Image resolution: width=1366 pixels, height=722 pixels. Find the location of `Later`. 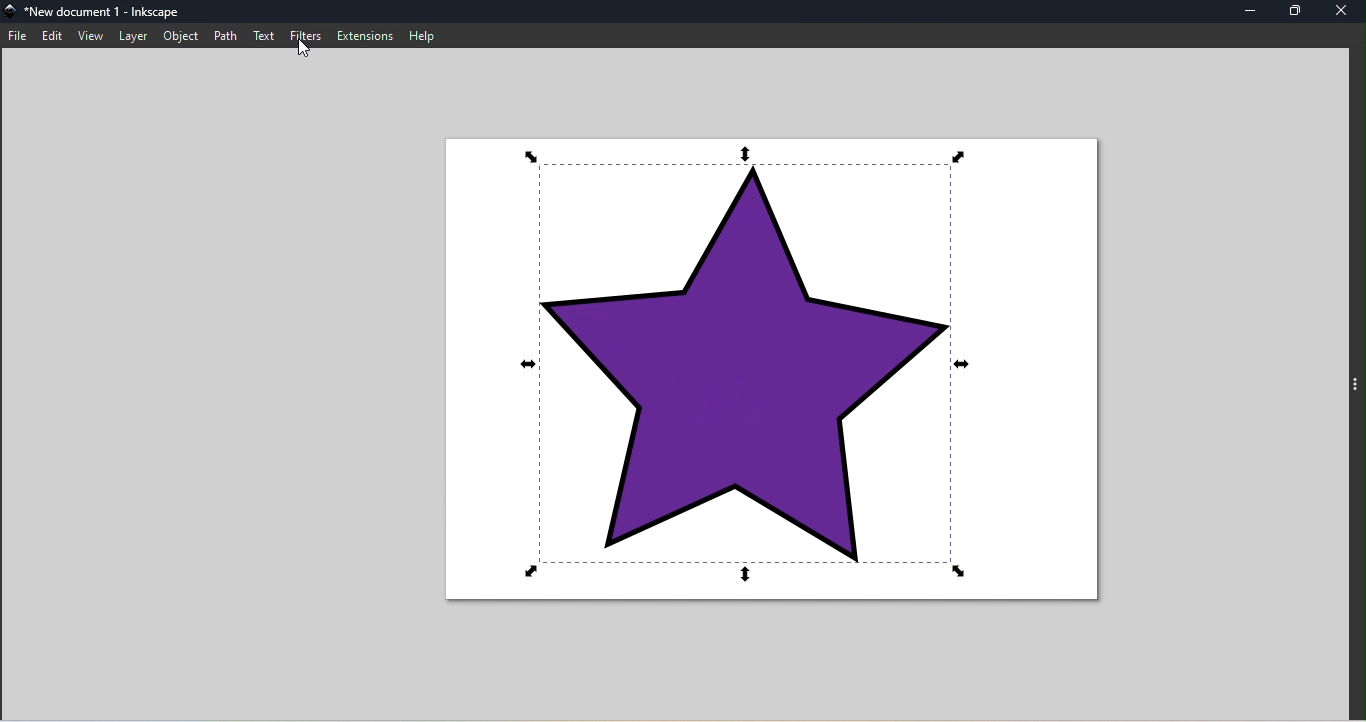

Later is located at coordinates (130, 36).